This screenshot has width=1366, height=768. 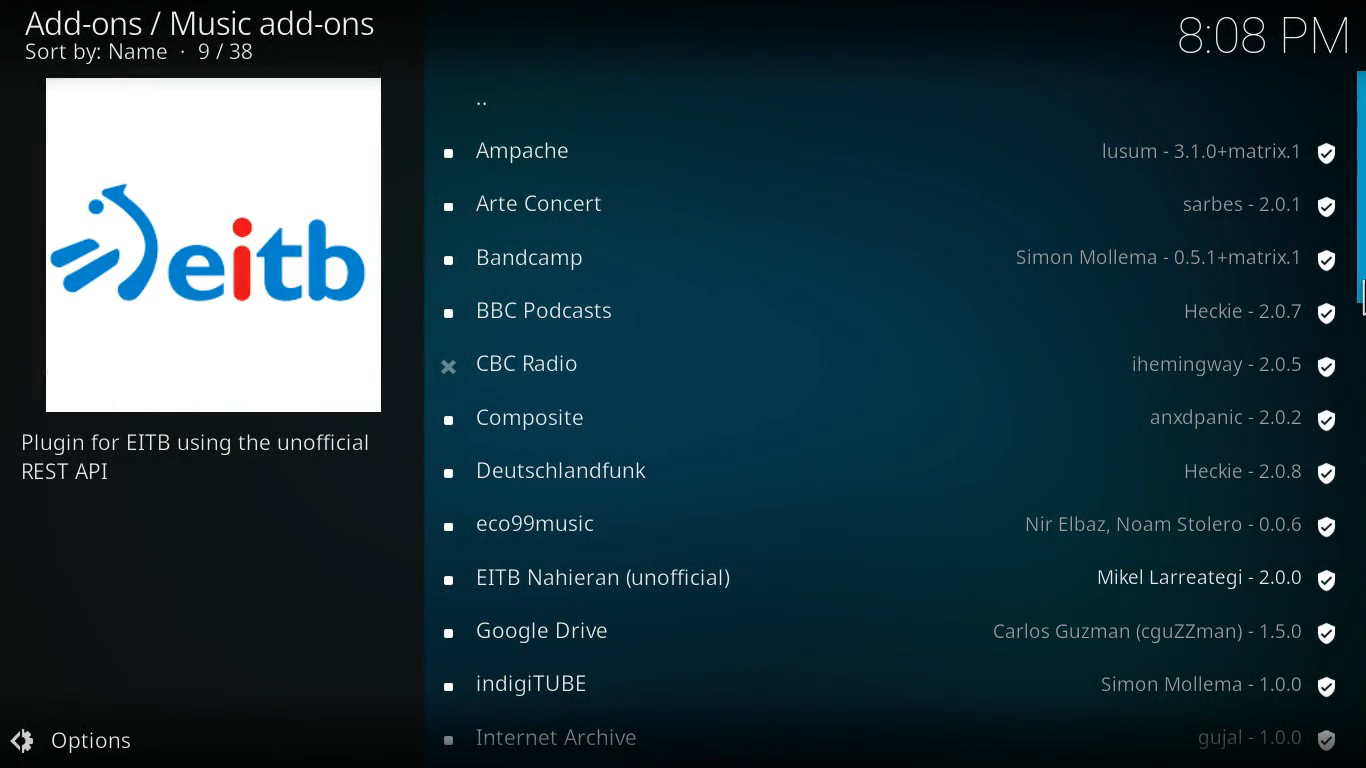 I want to click on add-ons, so click(x=529, y=415).